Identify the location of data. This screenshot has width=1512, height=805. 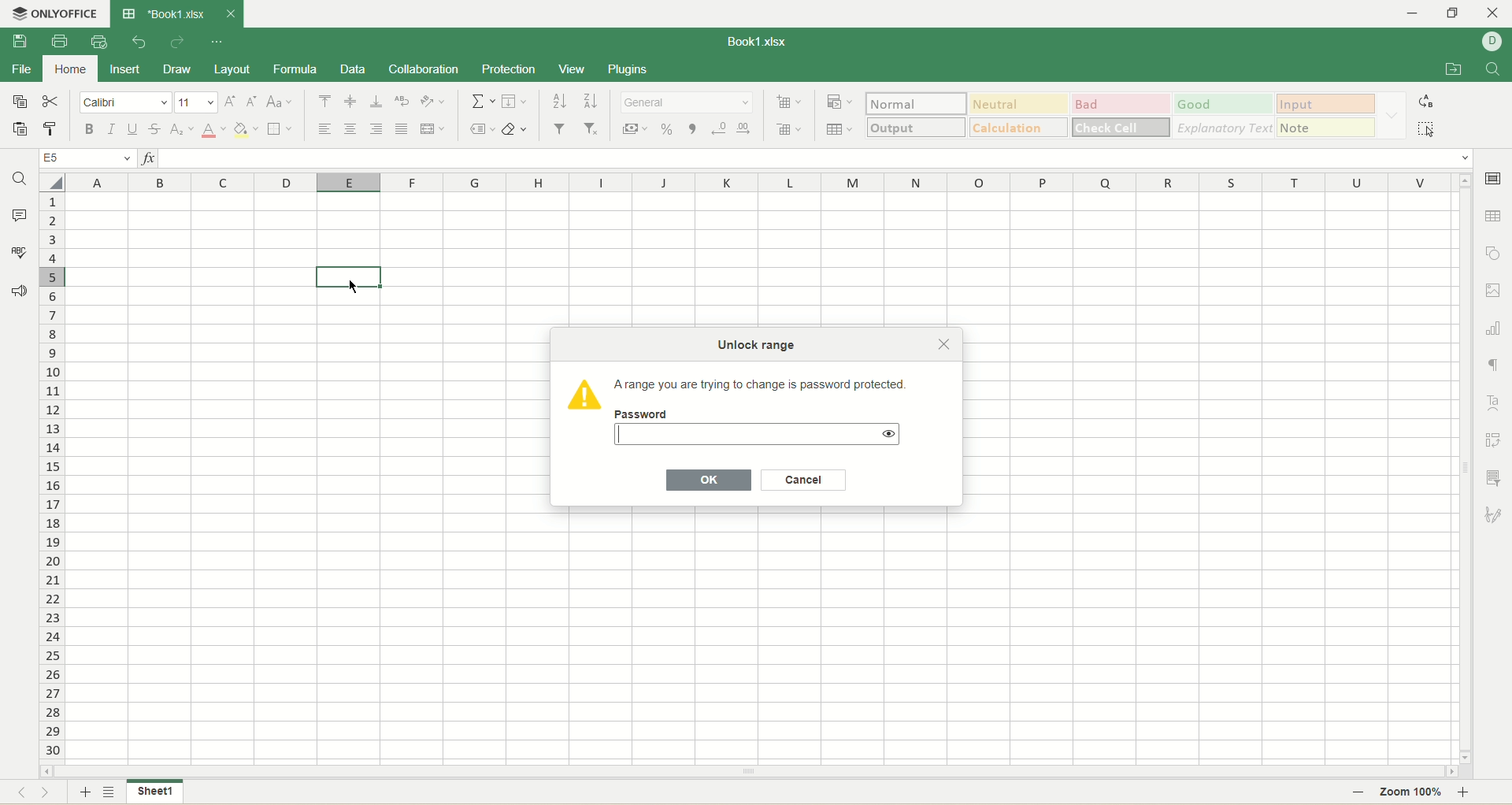
(353, 69).